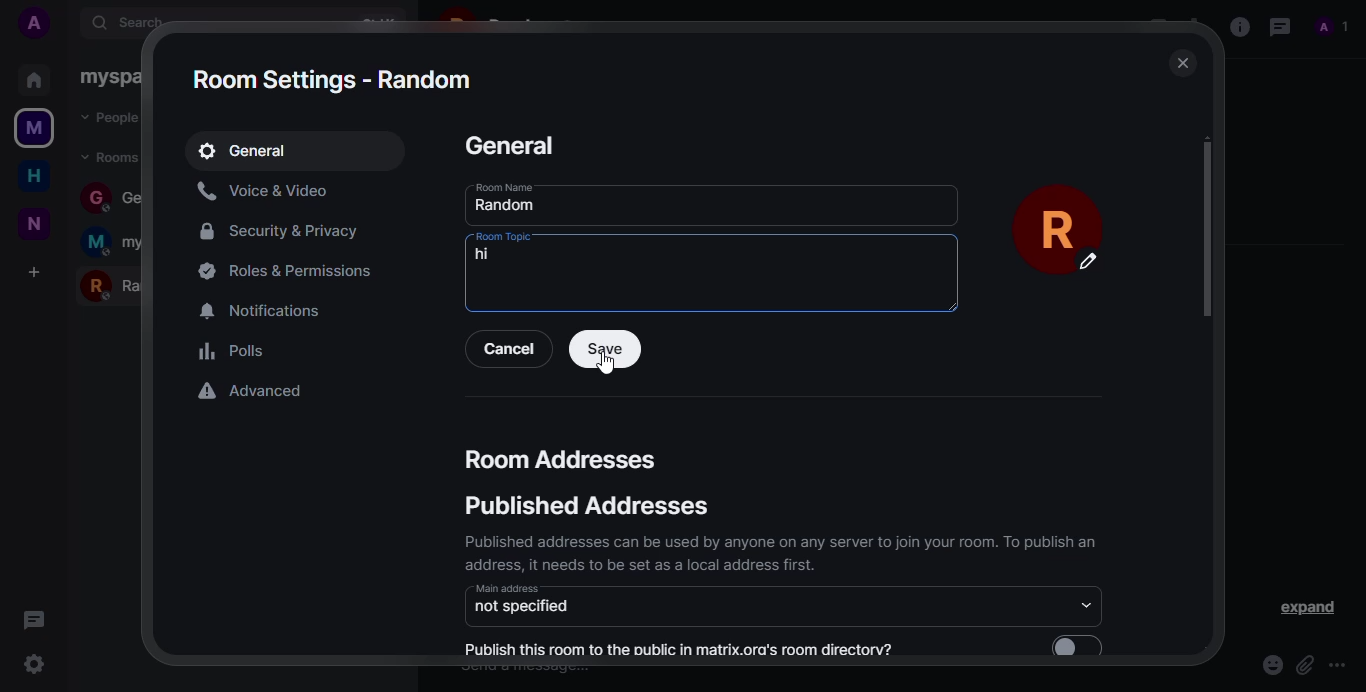 Image resolution: width=1366 pixels, height=692 pixels. I want to click on random, so click(507, 206).